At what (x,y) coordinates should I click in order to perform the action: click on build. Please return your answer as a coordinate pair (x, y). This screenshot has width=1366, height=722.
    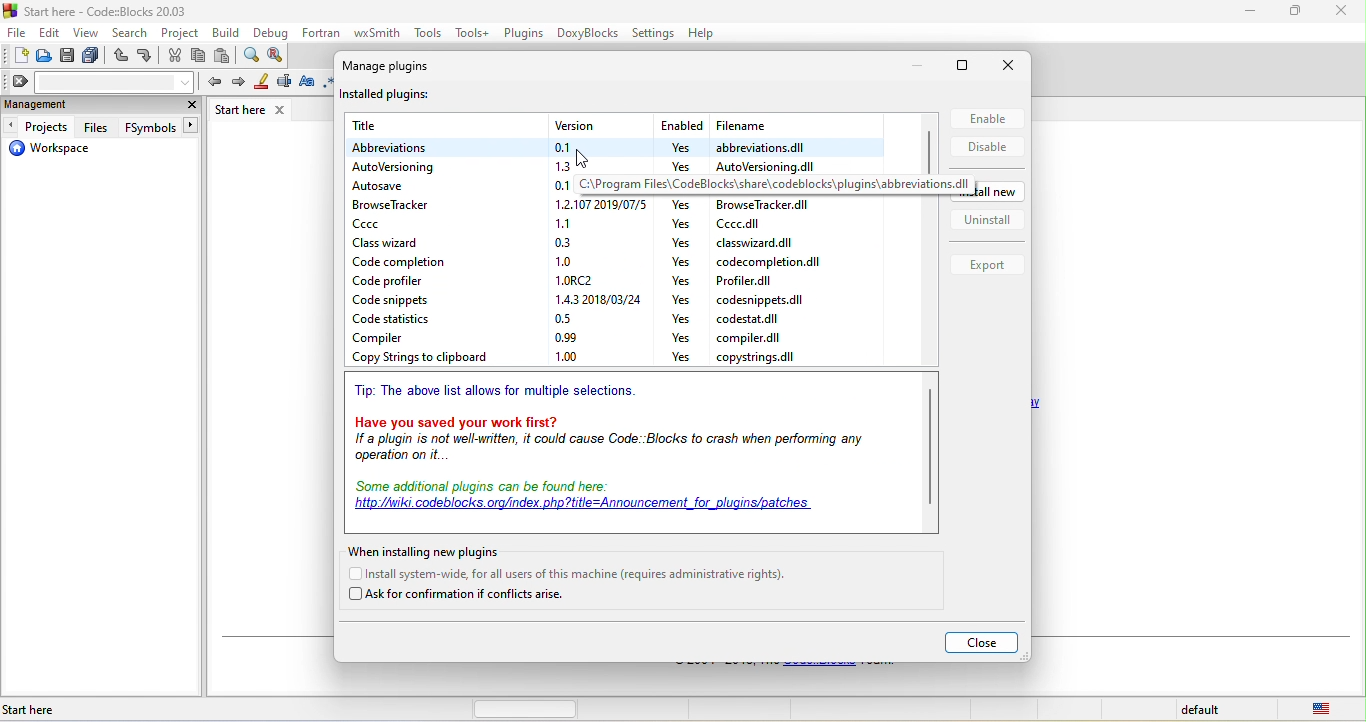
    Looking at the image, I should click on (227, 32).